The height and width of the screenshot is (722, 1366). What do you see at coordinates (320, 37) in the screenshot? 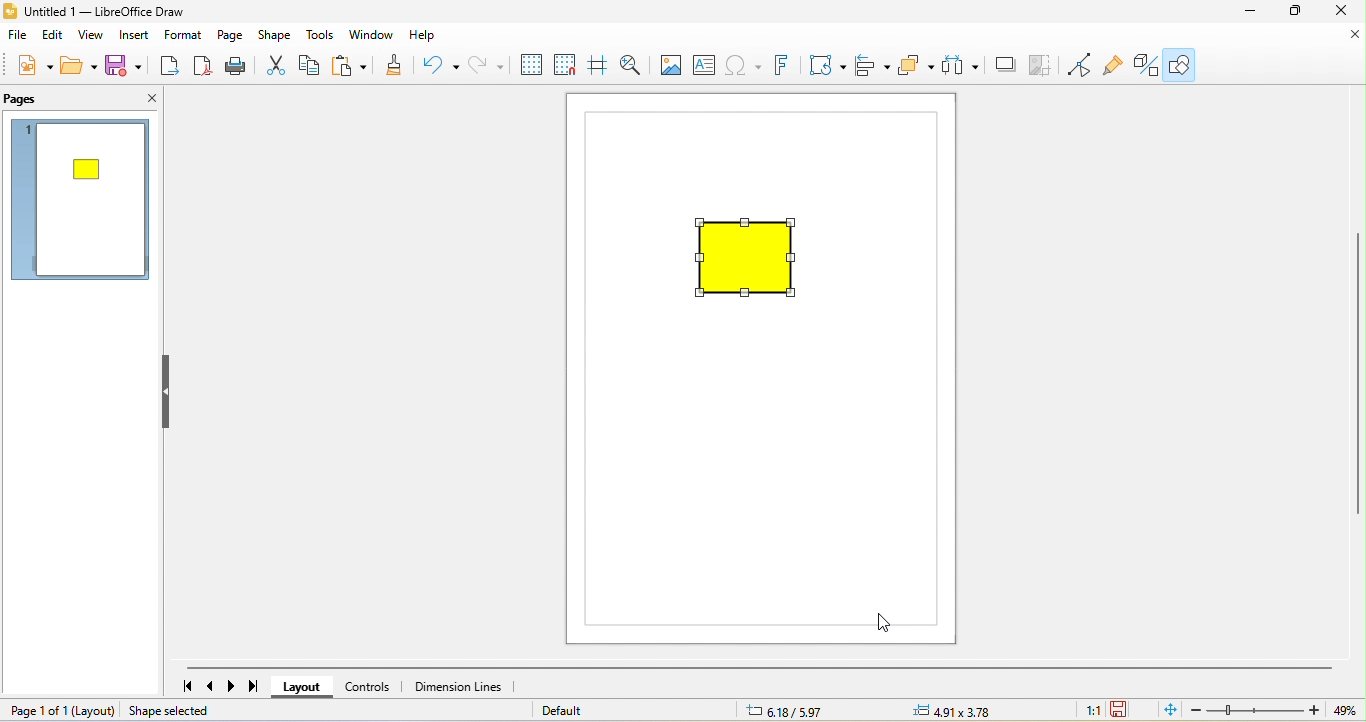
I see `tools` at bounding box center [320, 37].